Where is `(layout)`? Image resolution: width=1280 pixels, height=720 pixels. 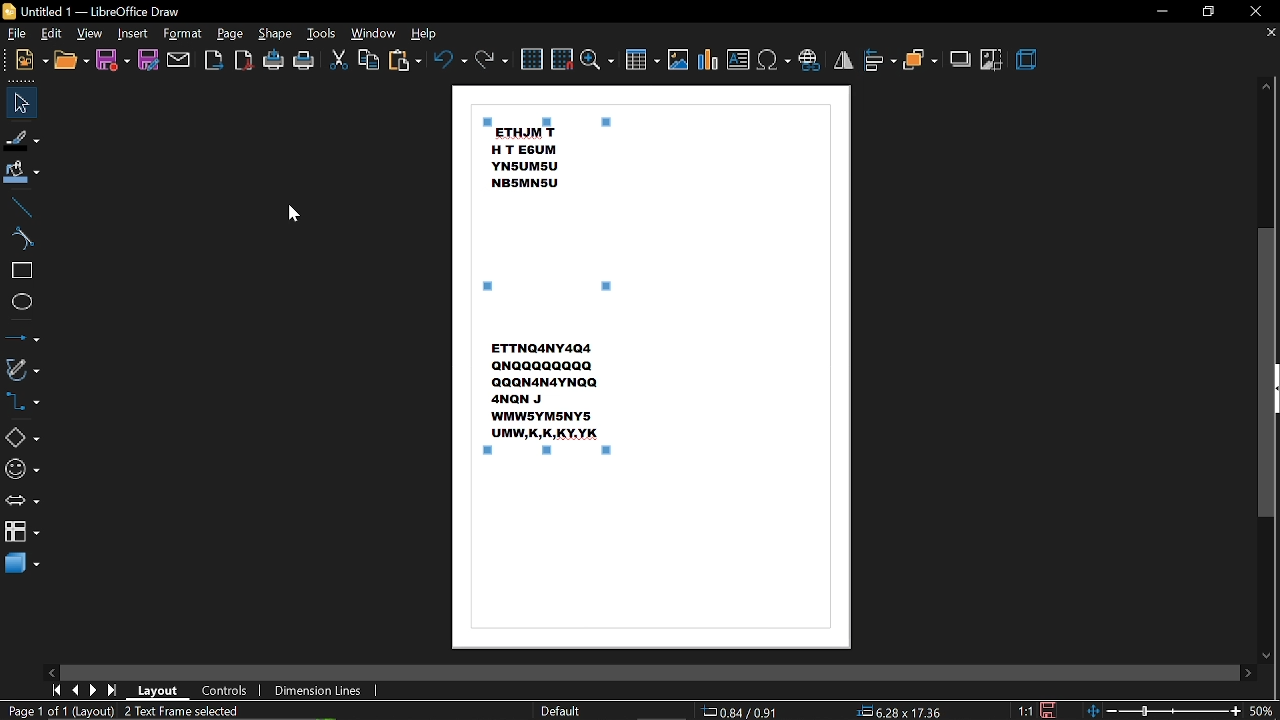
(layout) is located at coordinates (96, 711).